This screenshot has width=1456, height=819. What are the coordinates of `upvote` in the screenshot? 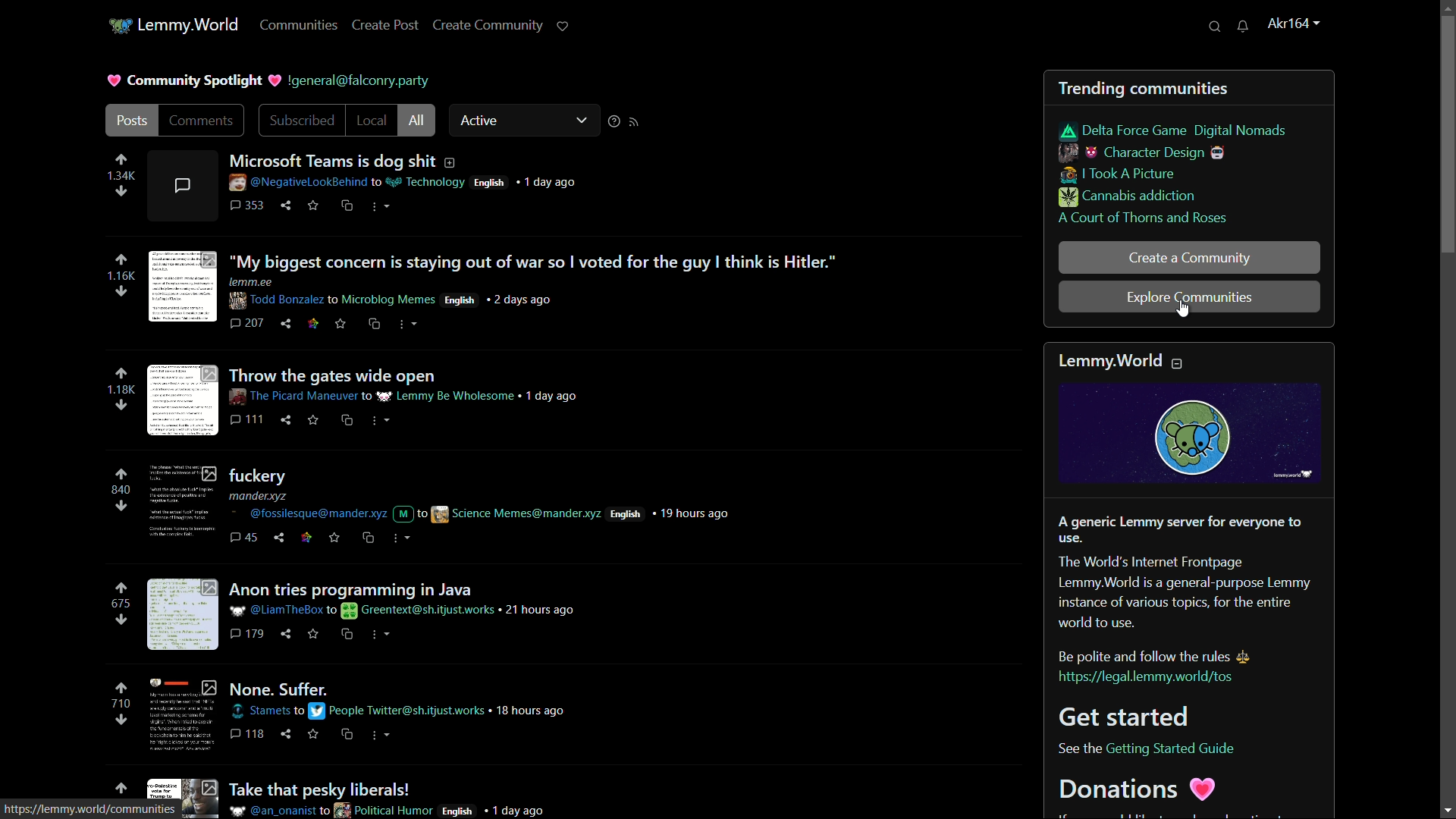 It's located at (121, 159).